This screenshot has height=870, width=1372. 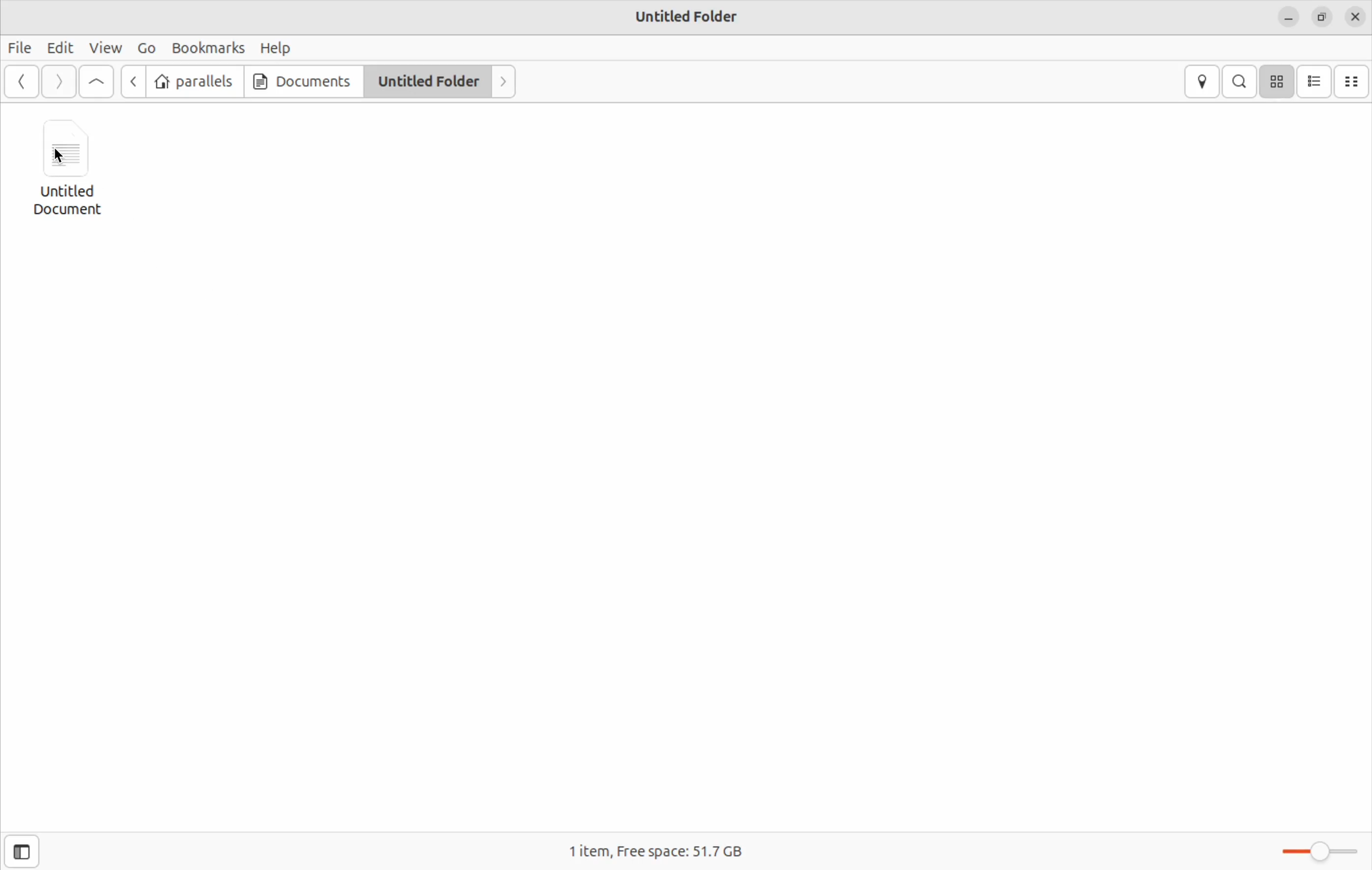 What do you see at coordinates (59, 82) in the screenshot?
I see `Forward` at bounding box center [59, 82].